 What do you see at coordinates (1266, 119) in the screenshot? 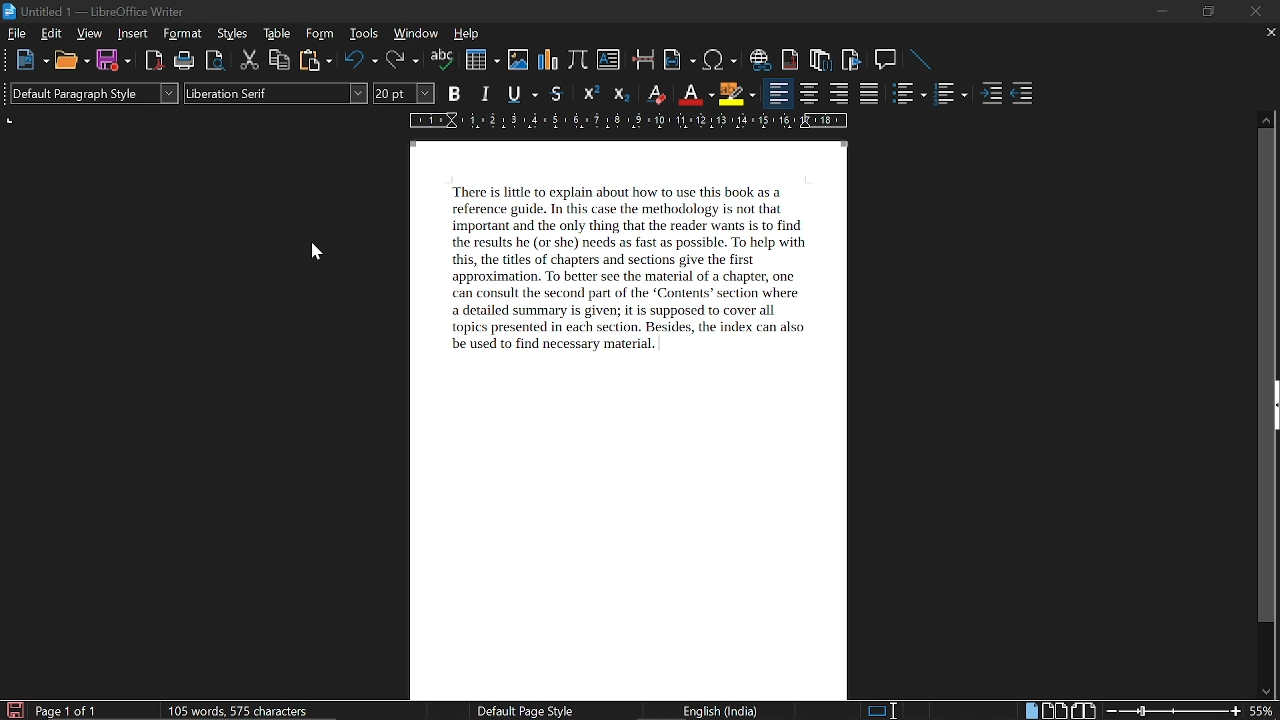
I see `move up` at bounding box center [1266, 119].